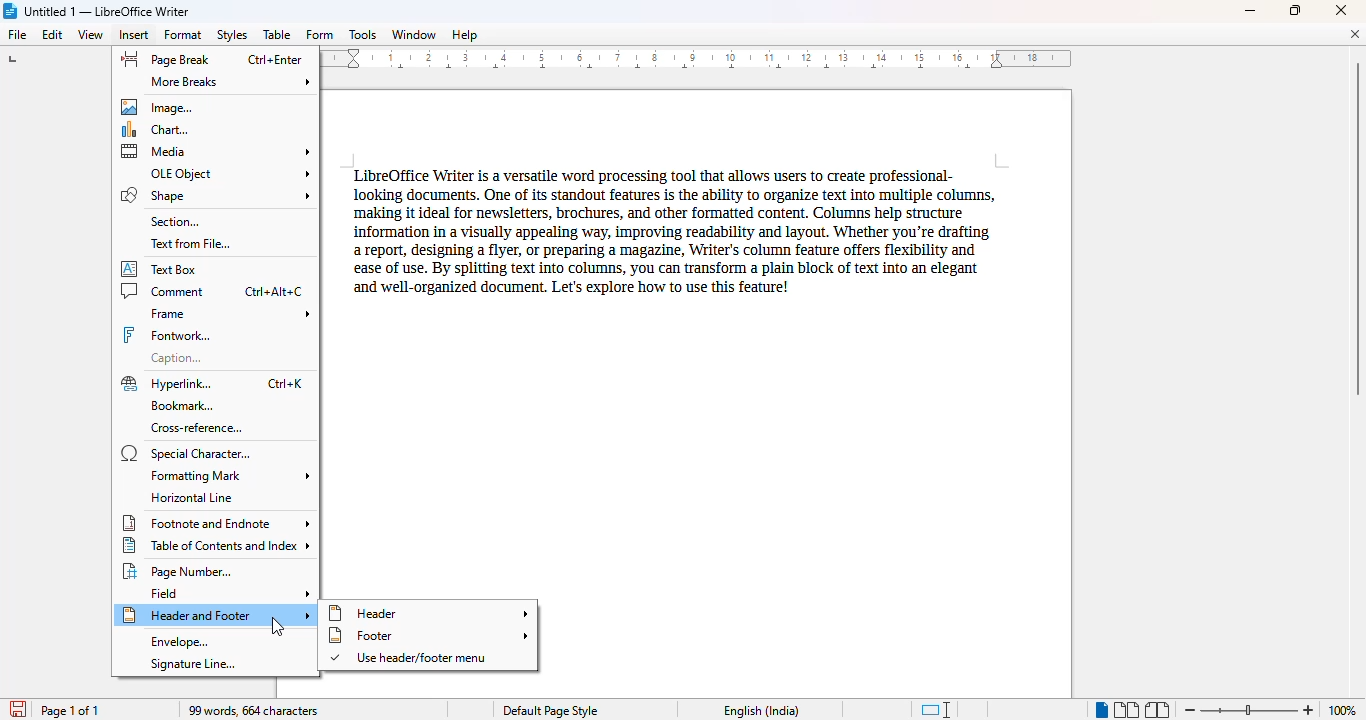  What do you see at coordinates (70, 710) in the screenshot?
I see `page 1 of 1` at bounding box center [70, 710].